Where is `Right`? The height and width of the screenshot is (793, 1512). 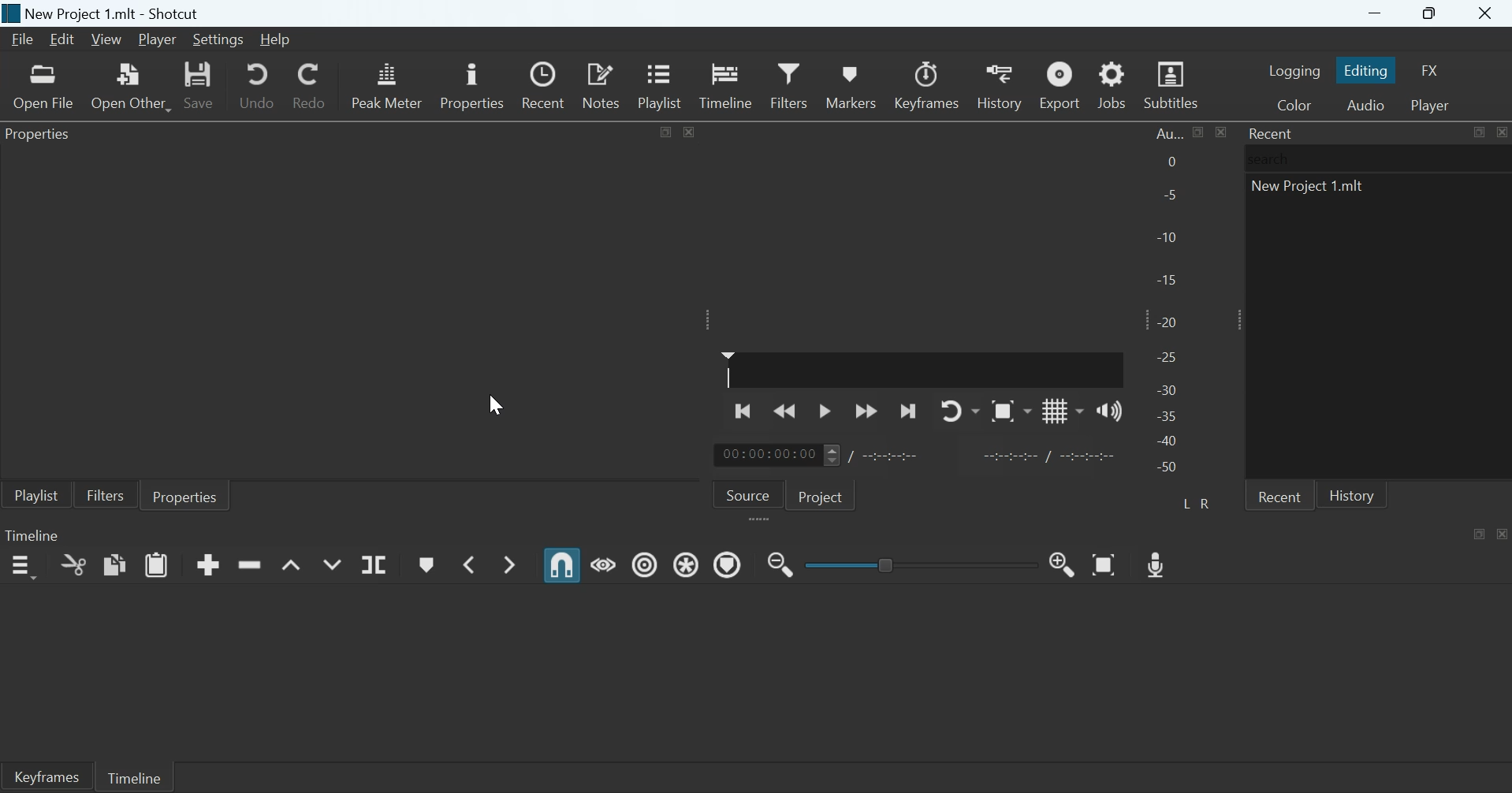
Right is located at coordinates (1208, 503).